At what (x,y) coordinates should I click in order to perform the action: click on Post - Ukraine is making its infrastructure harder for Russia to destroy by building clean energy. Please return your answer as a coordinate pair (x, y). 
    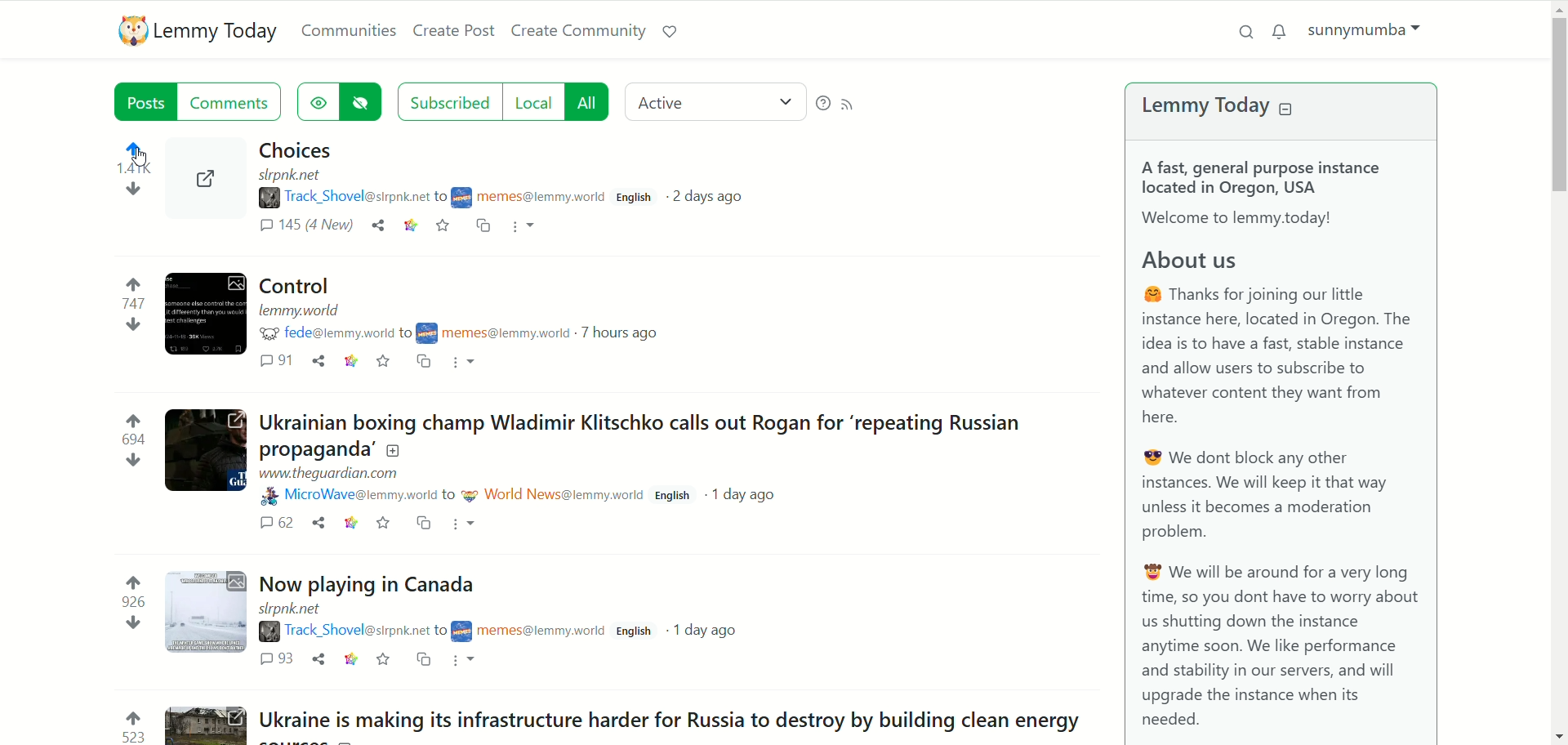
    Looking at the image, I should click on (679, 720).